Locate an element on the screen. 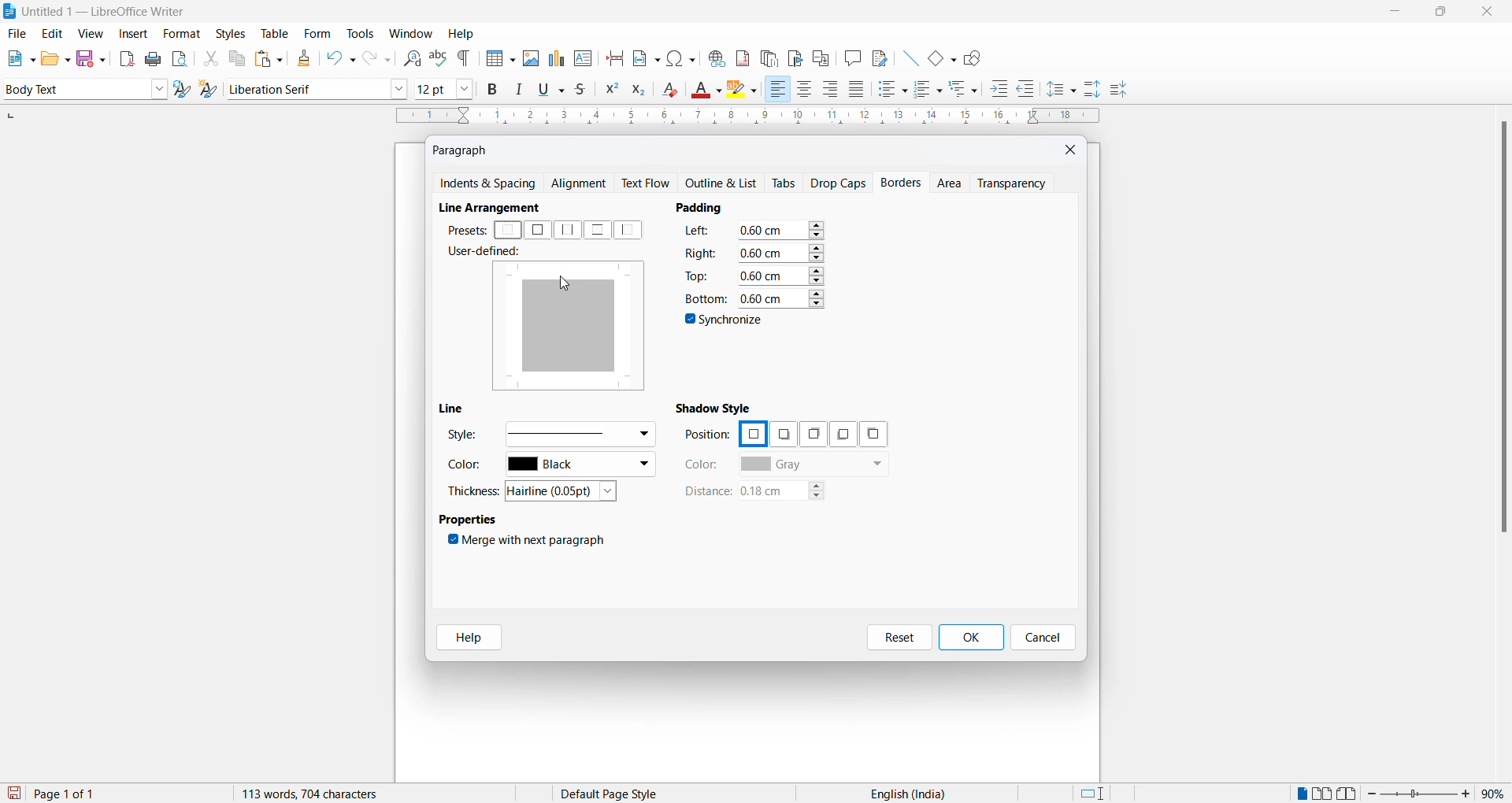 The height and width of the screenshot is (803, 1512). single page view is located at coordinates (1300, 794).